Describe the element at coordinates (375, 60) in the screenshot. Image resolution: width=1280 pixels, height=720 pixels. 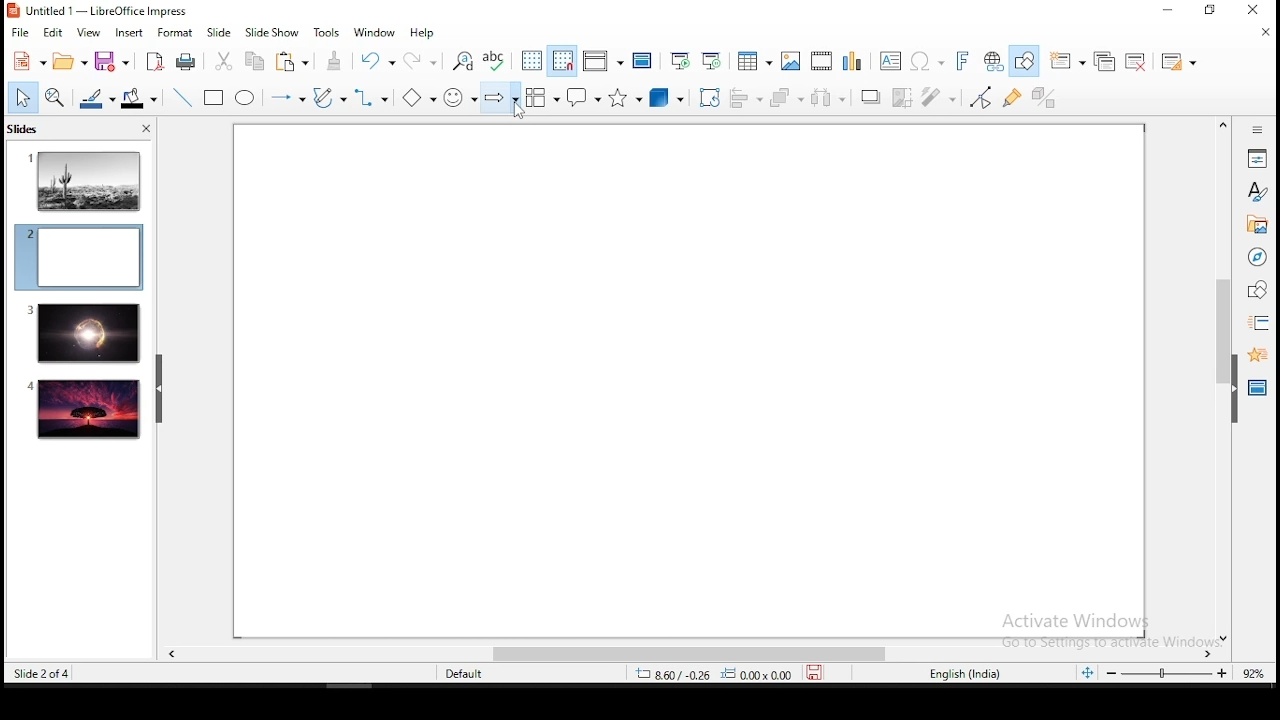
I see `undo` at that location.